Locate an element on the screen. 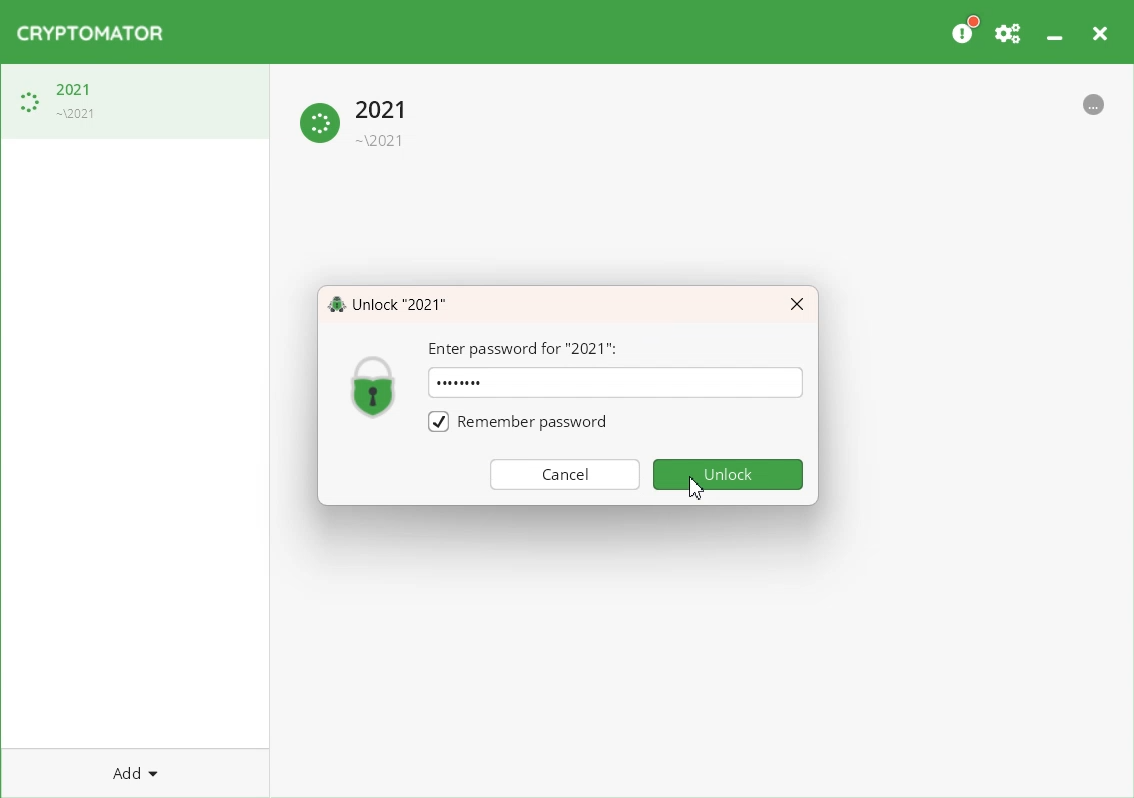  Text is located at coordinates (459, 382).